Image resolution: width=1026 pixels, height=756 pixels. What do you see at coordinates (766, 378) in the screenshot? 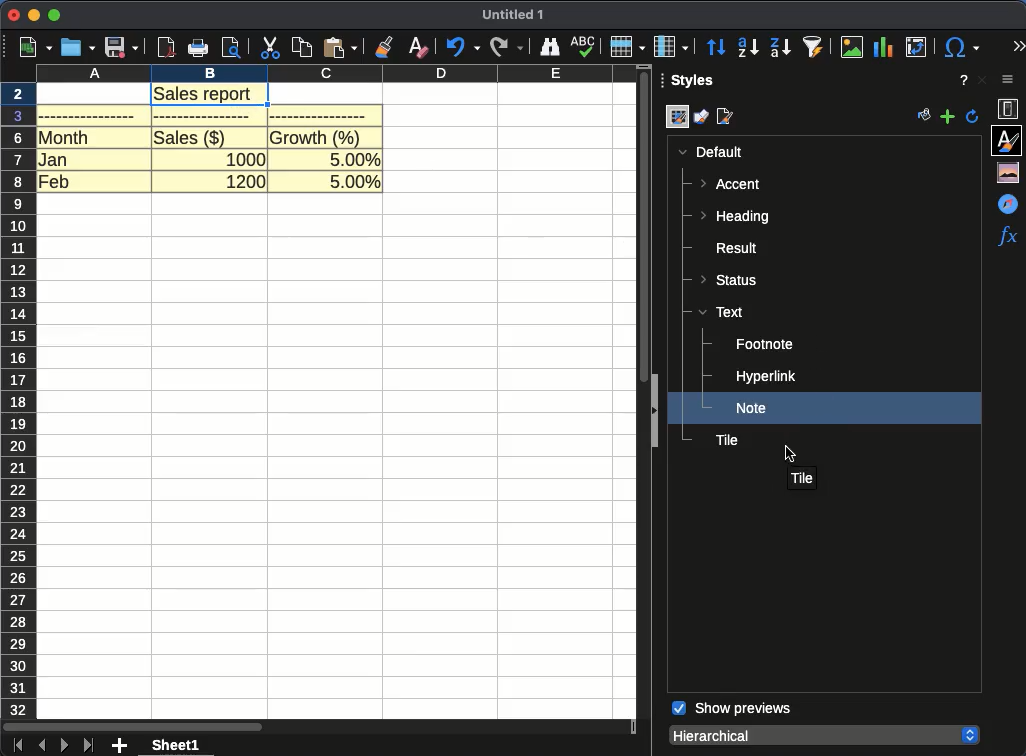
I see `hyperlink` at bounding box center [766, 378].